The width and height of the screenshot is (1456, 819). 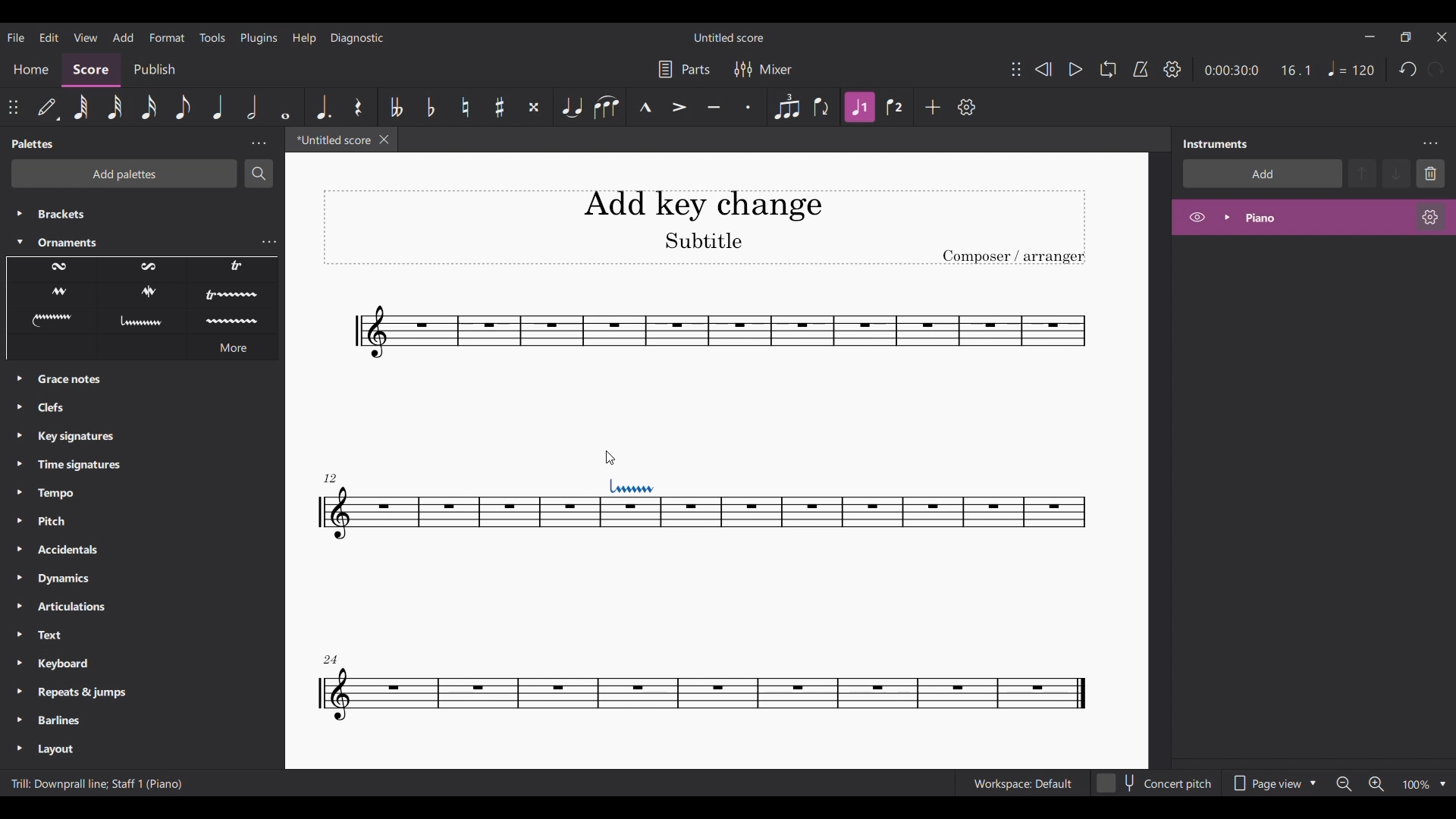 What do you see at coordinates (968, 107) in the screenshot?
I see `Customize tools` at bounding box center [968, 107].